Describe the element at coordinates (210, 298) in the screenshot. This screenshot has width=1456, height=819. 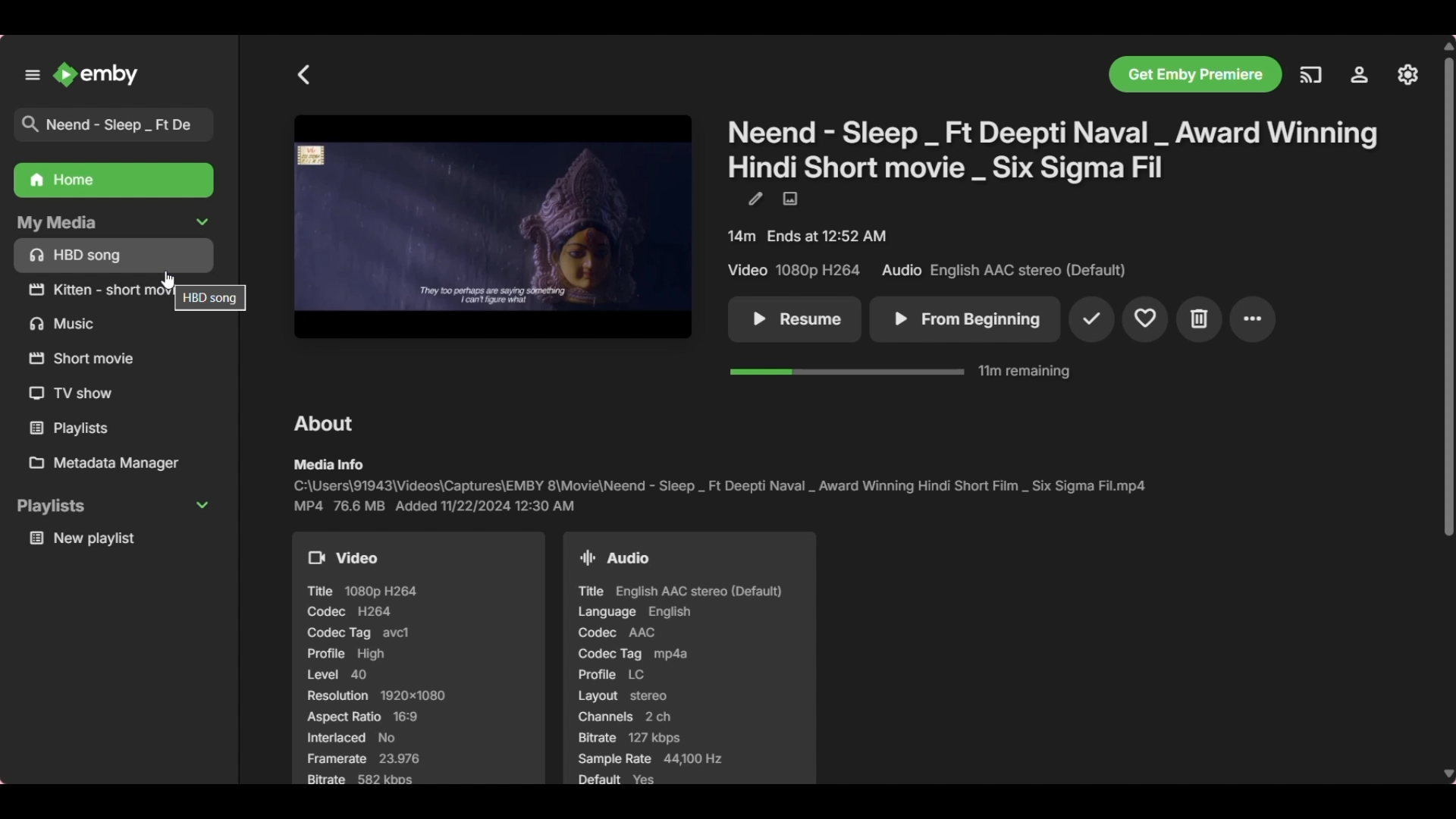
I see `Description of current selection` at that location.